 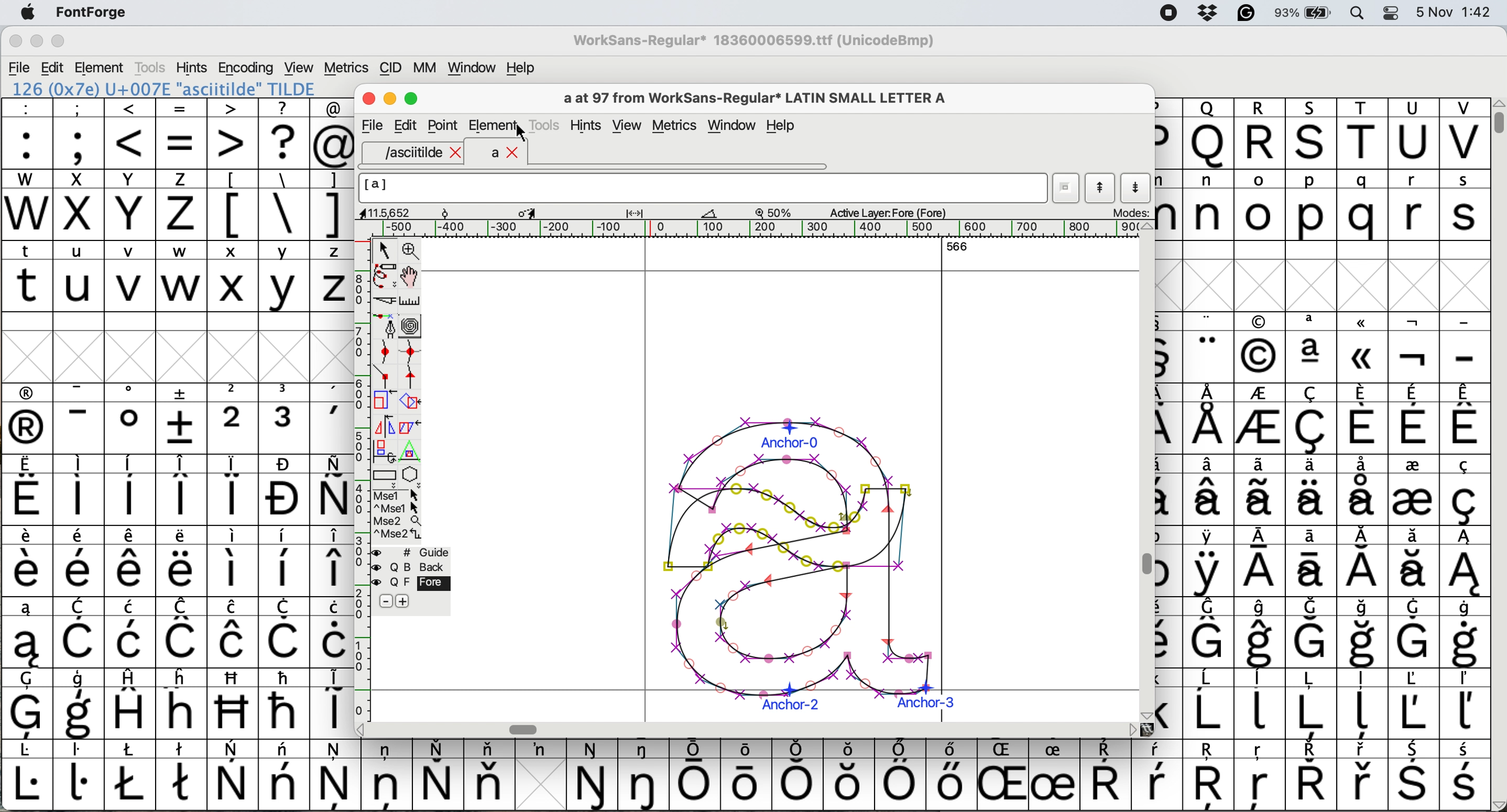 I want to click on close, so click(x=15, y=43).